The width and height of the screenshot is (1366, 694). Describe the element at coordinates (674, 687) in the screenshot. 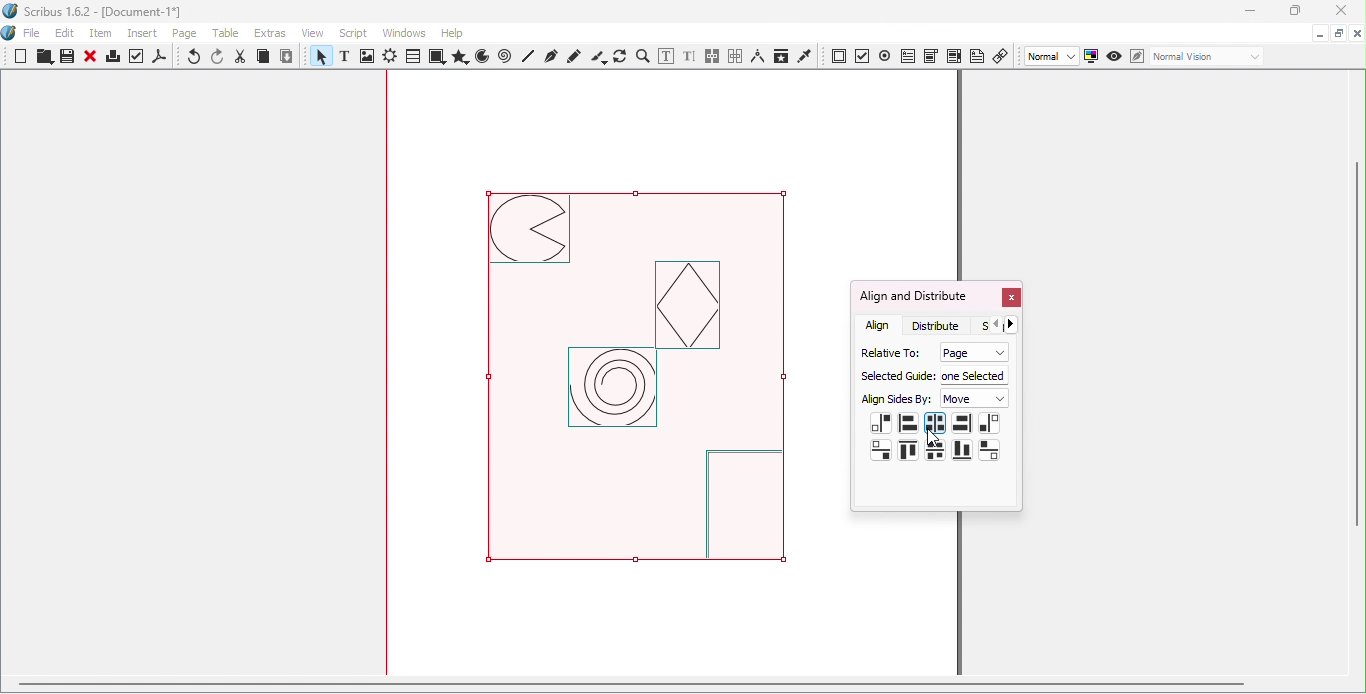

I see `Horizontal scroll bar` at that location.